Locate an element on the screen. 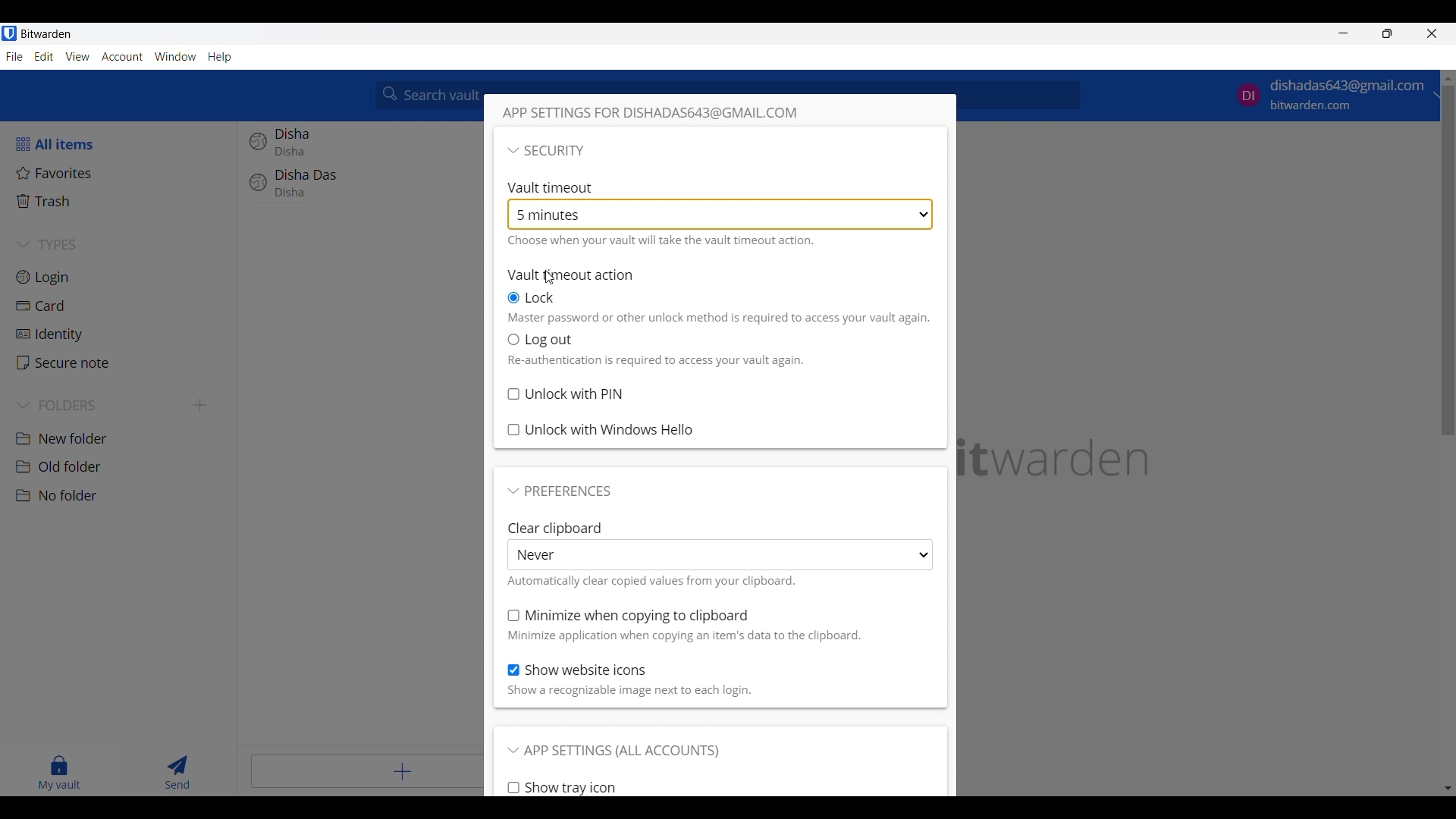  All items is located at coordinates (121, 144).